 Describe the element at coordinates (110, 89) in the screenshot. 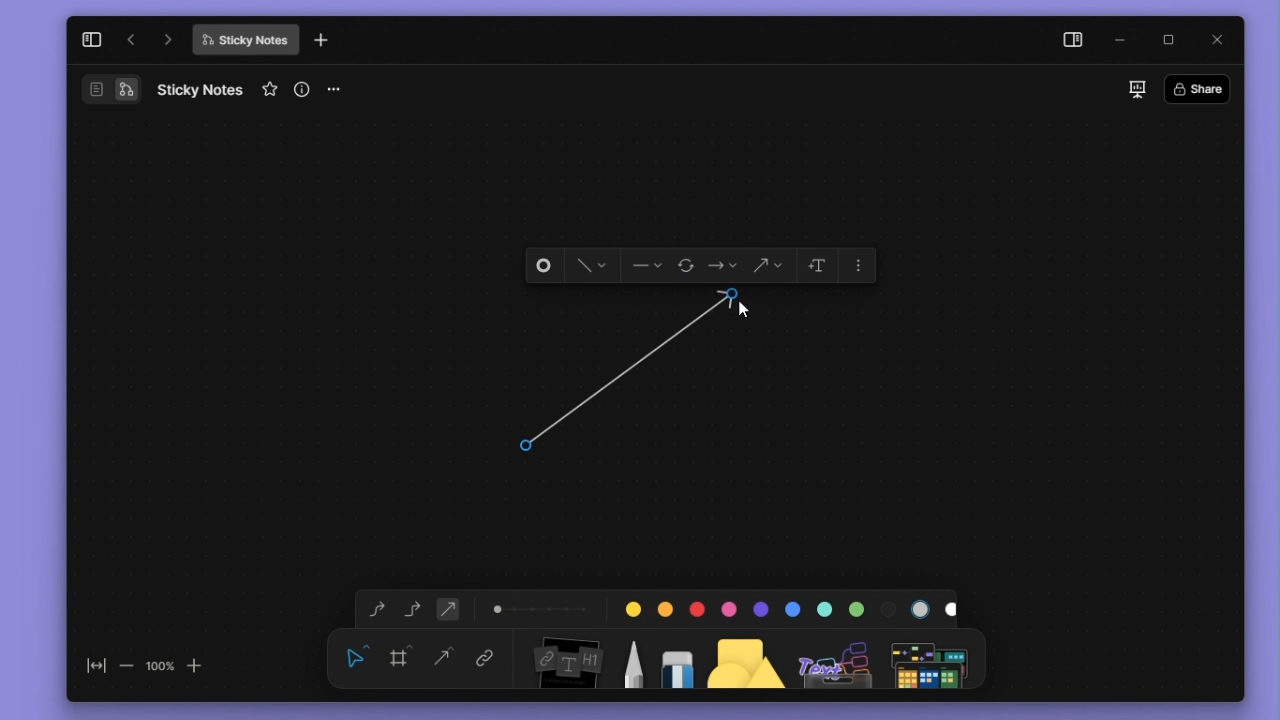

I see `switch` at that location.